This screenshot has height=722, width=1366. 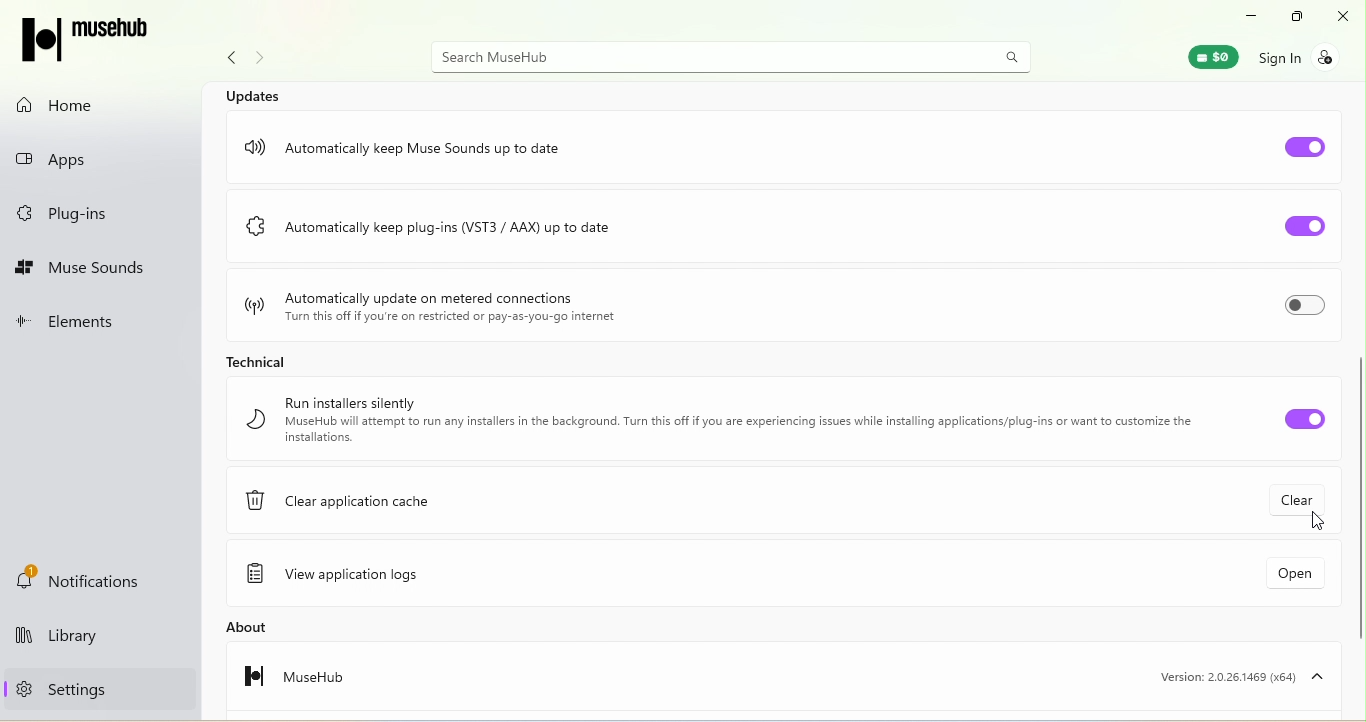 What do you see at coordinates (482, 232) in the screenshot?
I see `Automatically keep plug-ins (VST3-AAX)) up to date` at bounding box center [482, 232].